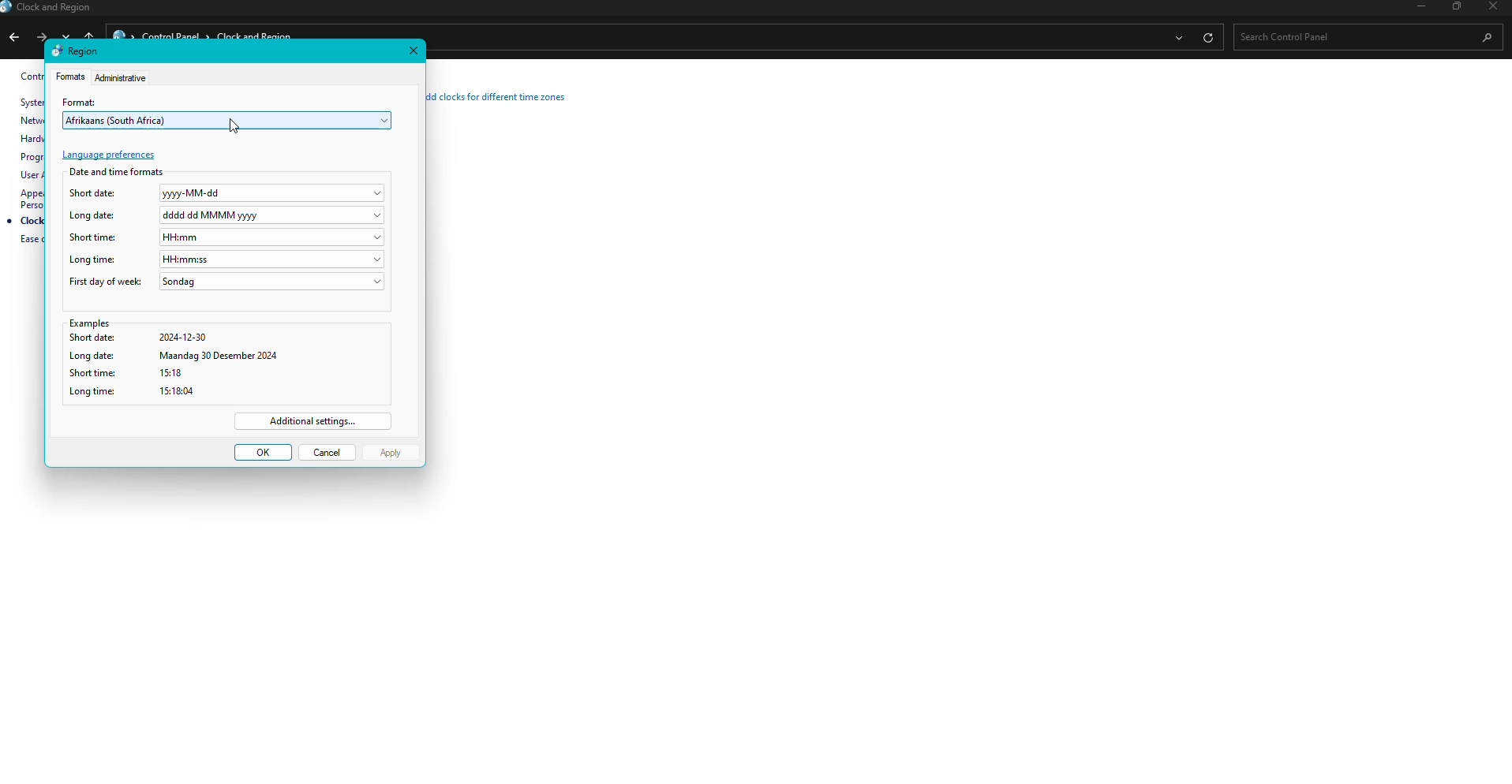  Describe the element at coordinates (91, 34) in the screenshot. I see `up` at that location.